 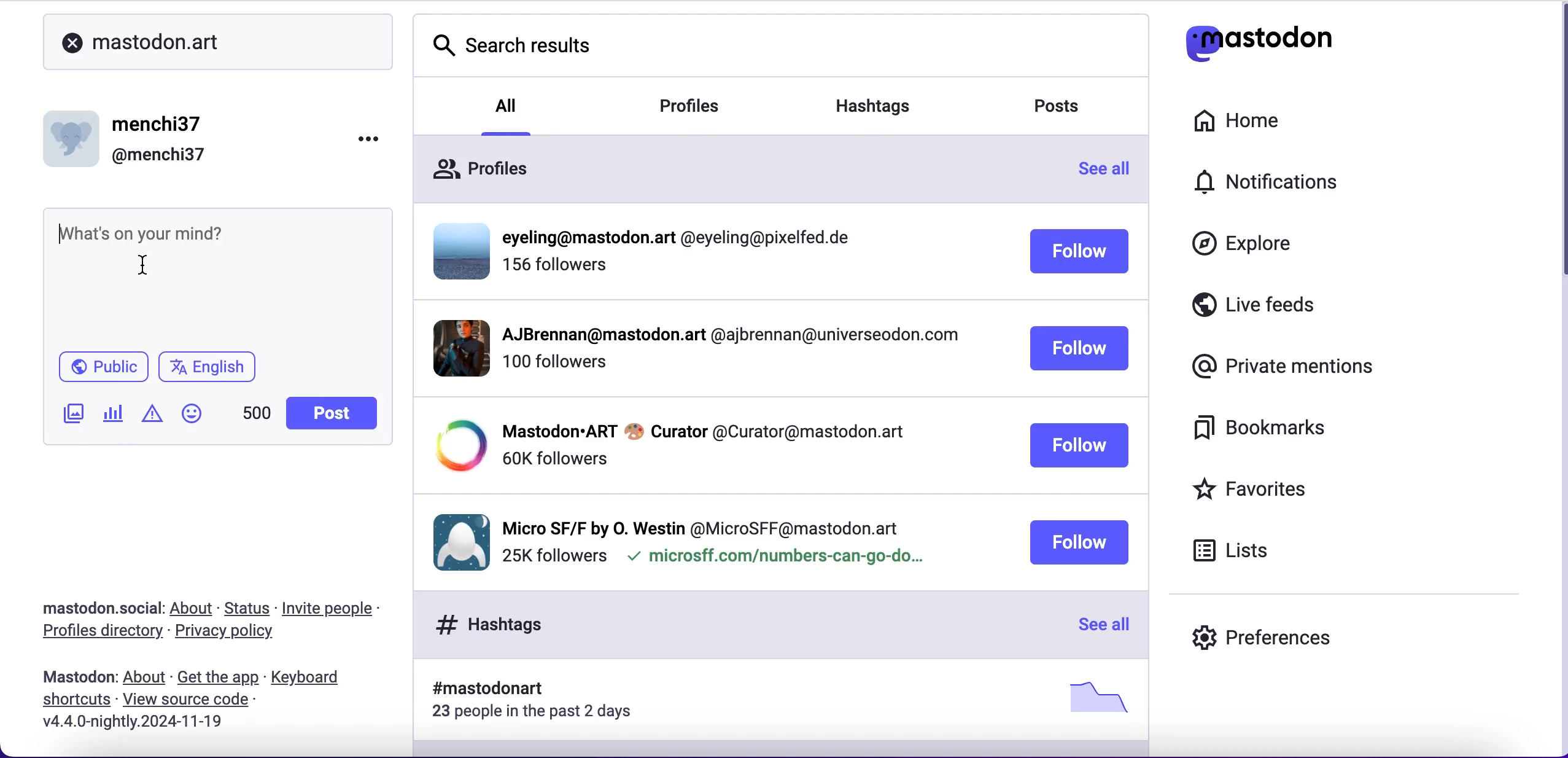 What do you see at coordinates (480, 689) in the screenshot?
I see `hashtag` at bounding box center [480, 689].